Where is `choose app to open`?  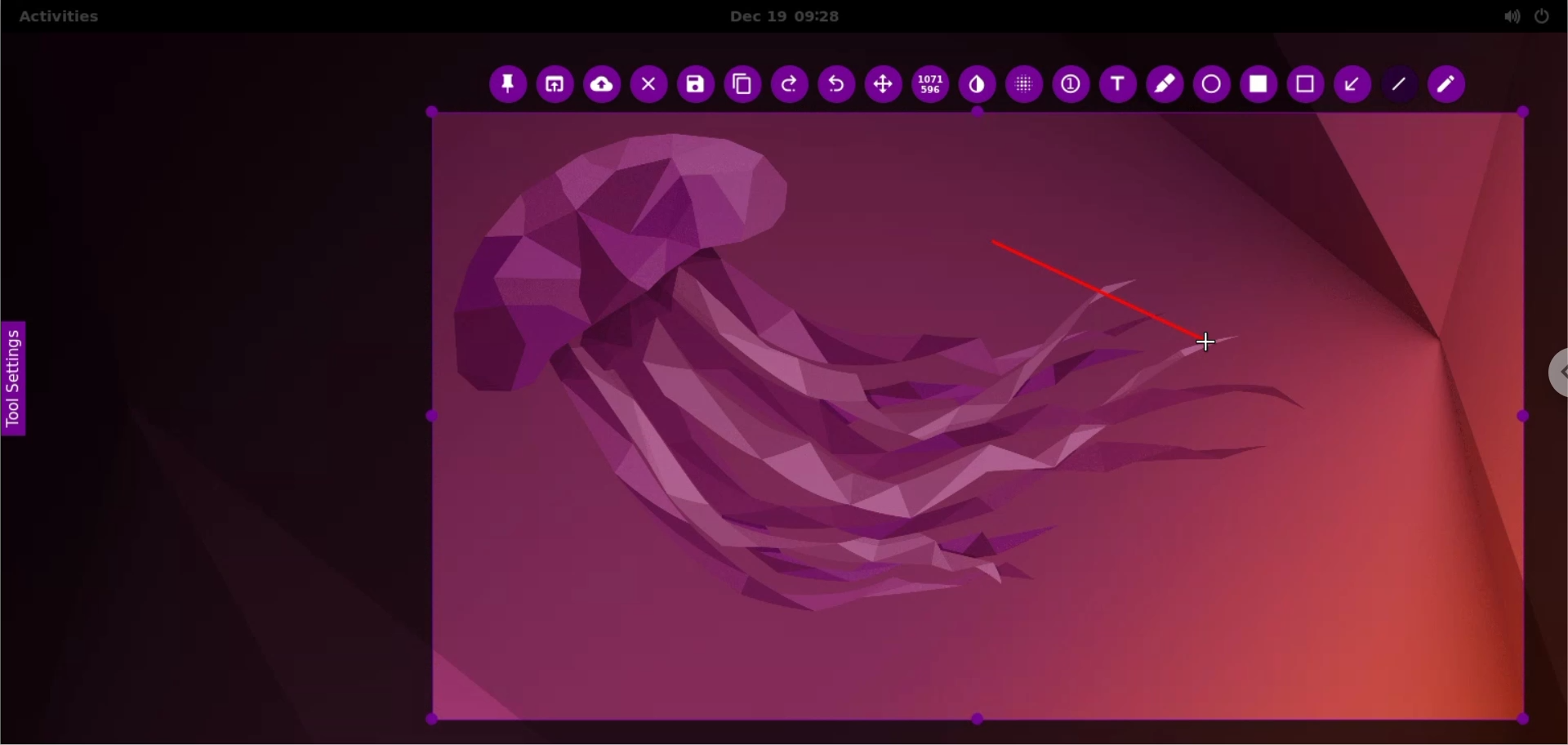 choose app to open is located at coordinates (557, 85).